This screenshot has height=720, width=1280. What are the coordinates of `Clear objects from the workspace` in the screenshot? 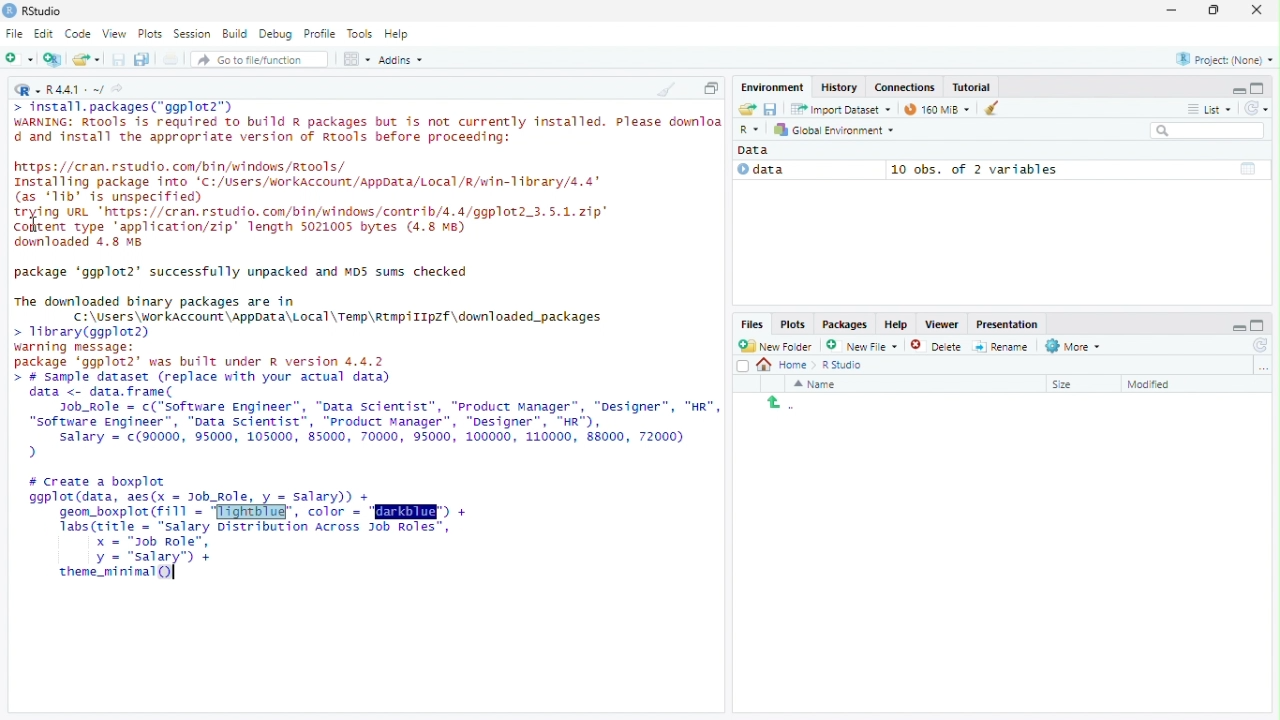 It's located at (985, 108).